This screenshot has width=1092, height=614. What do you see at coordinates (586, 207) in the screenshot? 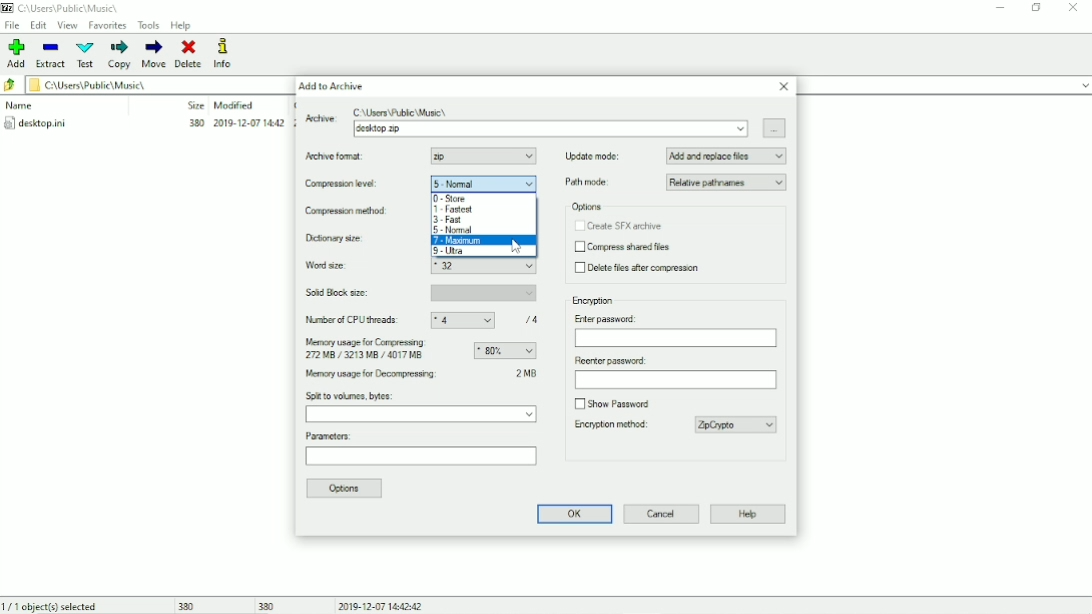
I see `Options` at bounding box center [586, 207].